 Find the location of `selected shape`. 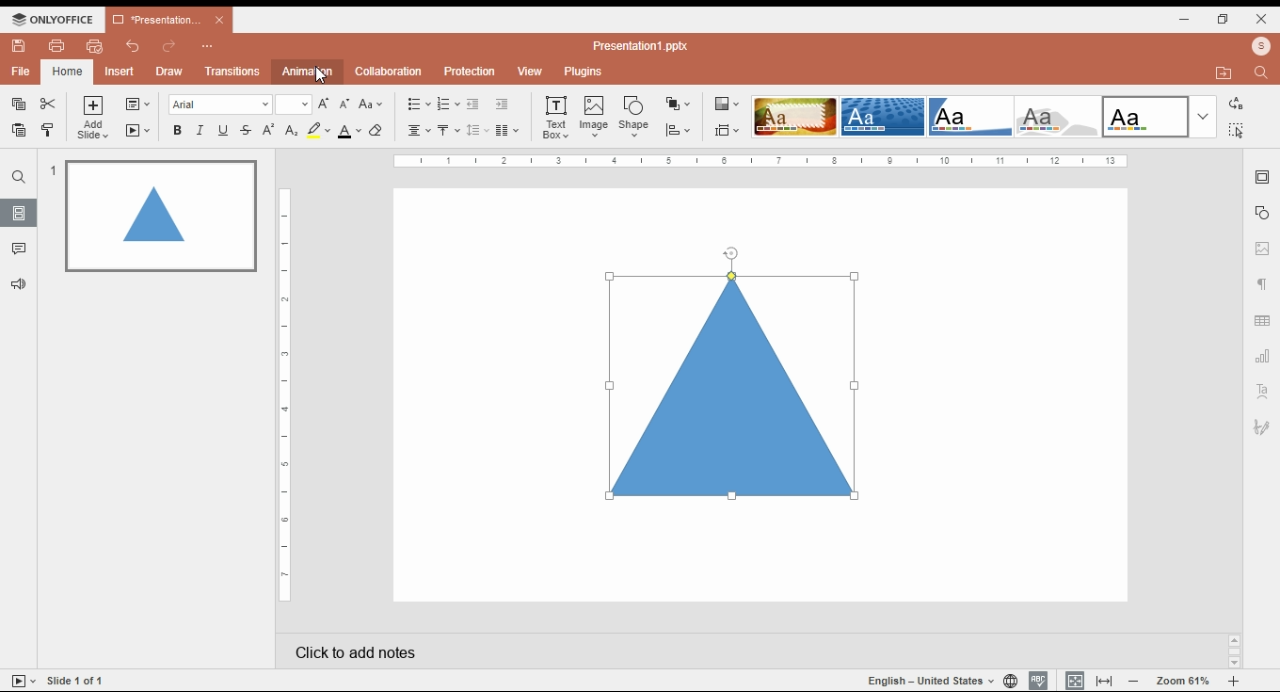

selected shape is located at coordinates (736, 385).